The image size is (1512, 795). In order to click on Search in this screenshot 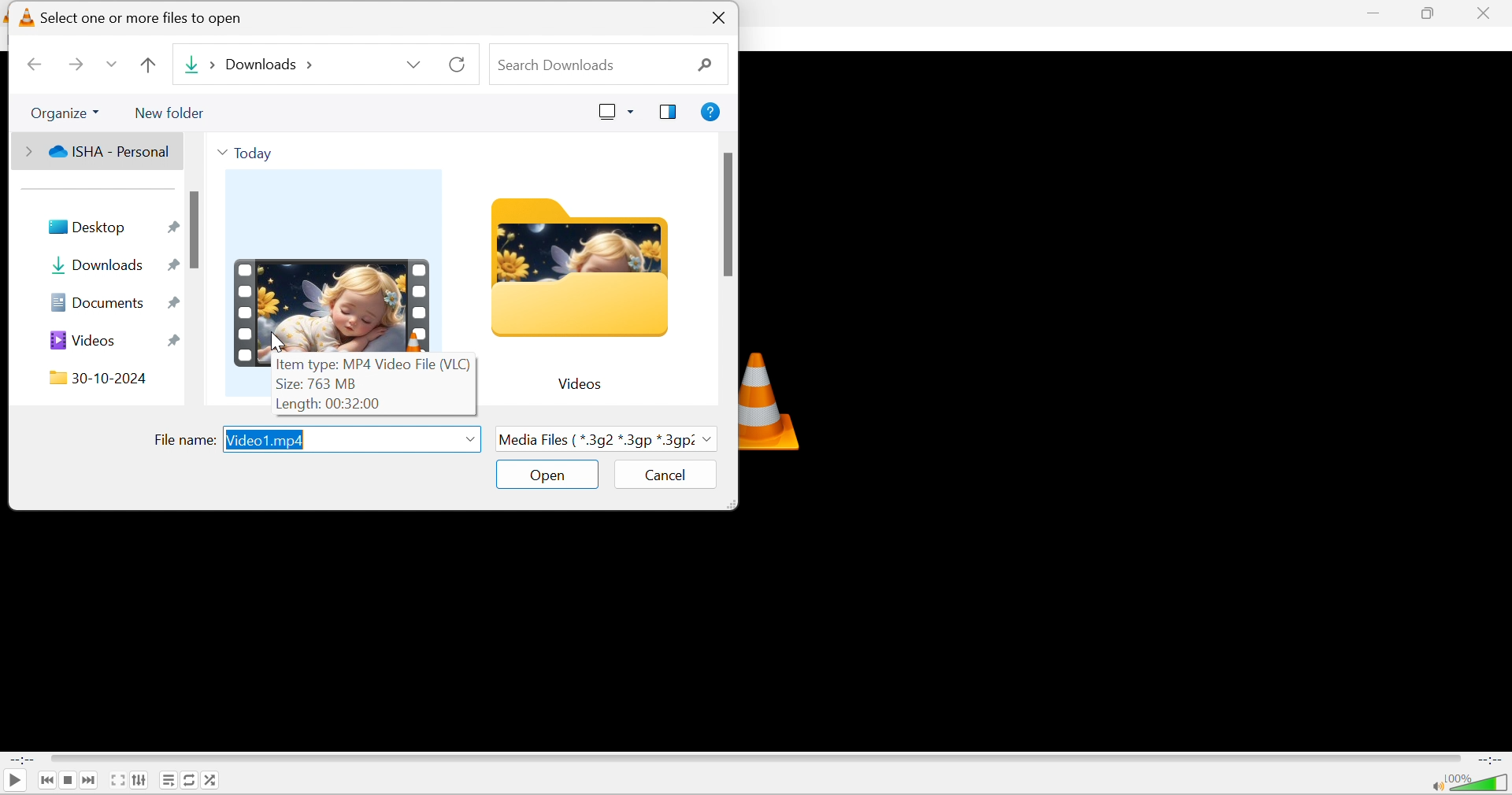, I will do `click(706, 65)`.